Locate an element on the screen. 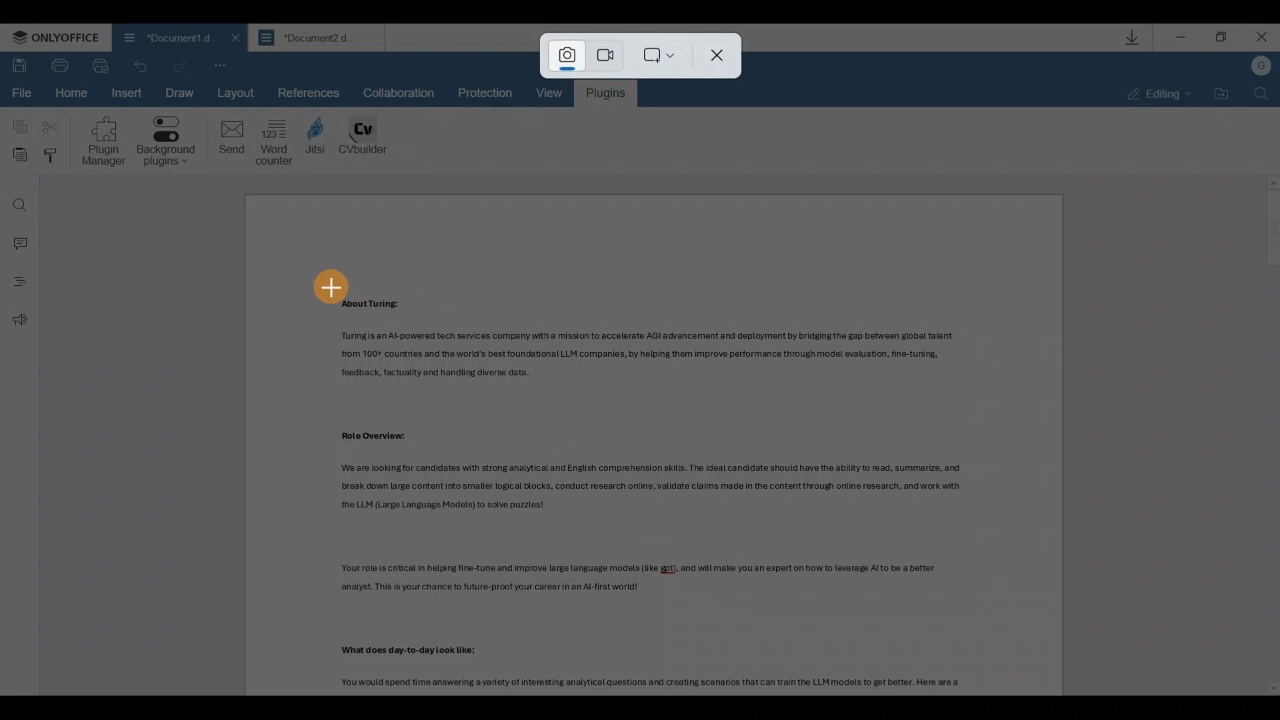 This screenshot has height=720, width=1280. References is located at coordinates (310, 92).